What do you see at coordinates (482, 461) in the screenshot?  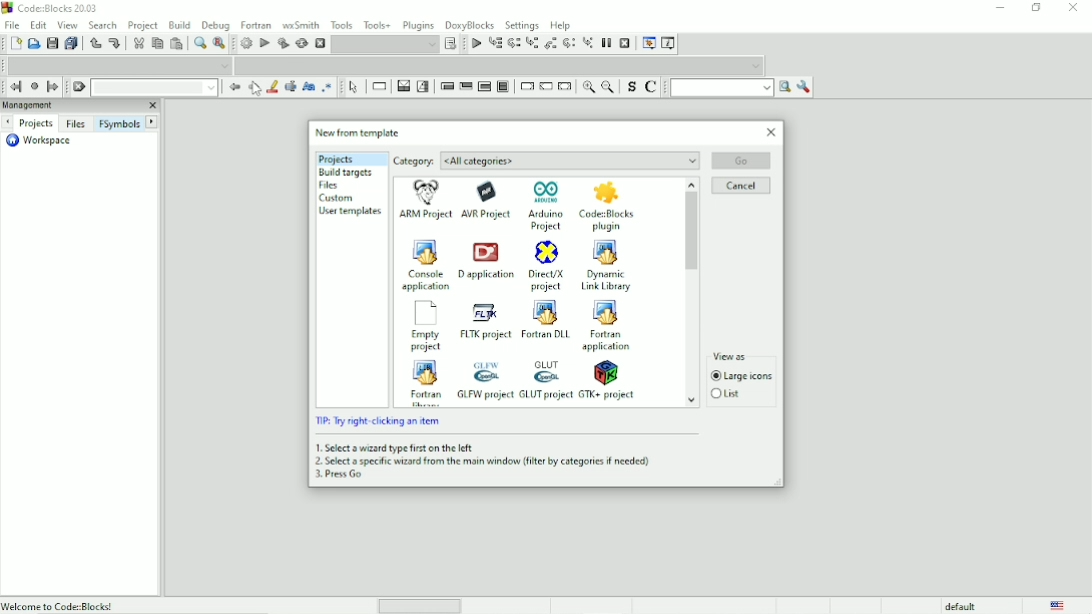 I see `Select a specific wizard from the main window.` at bounding box center [482, 461].